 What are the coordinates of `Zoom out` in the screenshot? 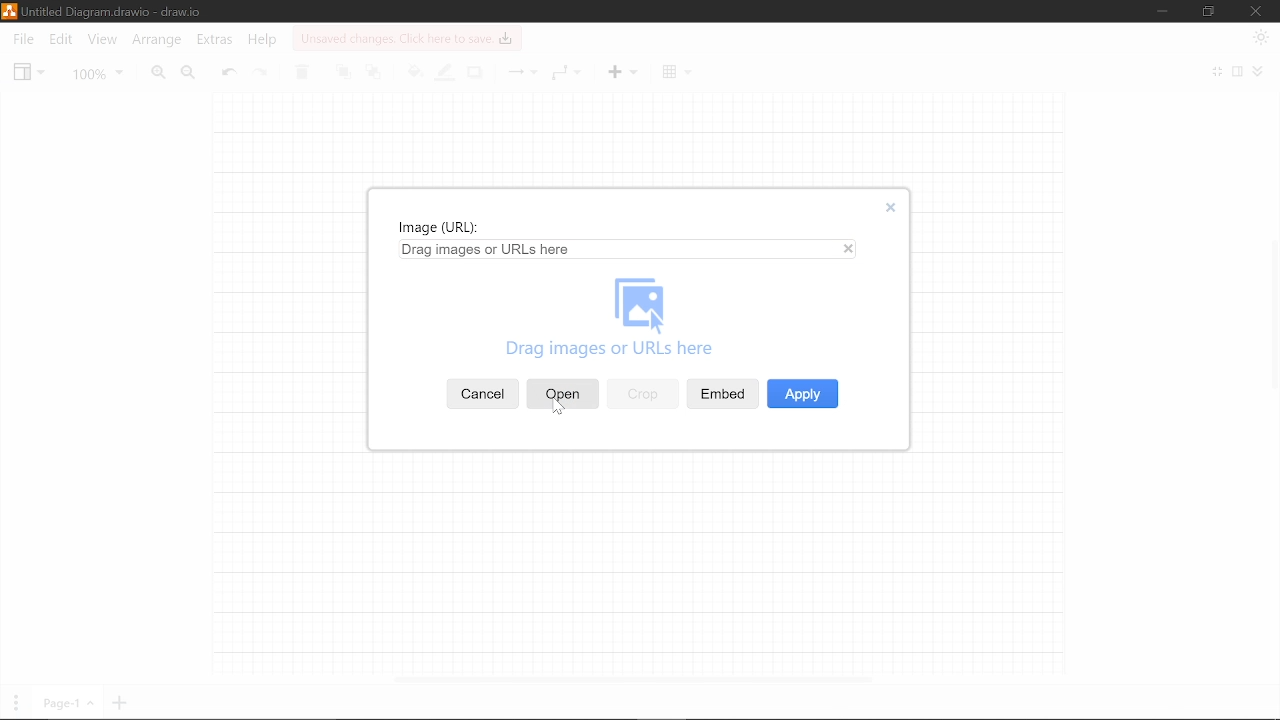 It's located at (190, 73).